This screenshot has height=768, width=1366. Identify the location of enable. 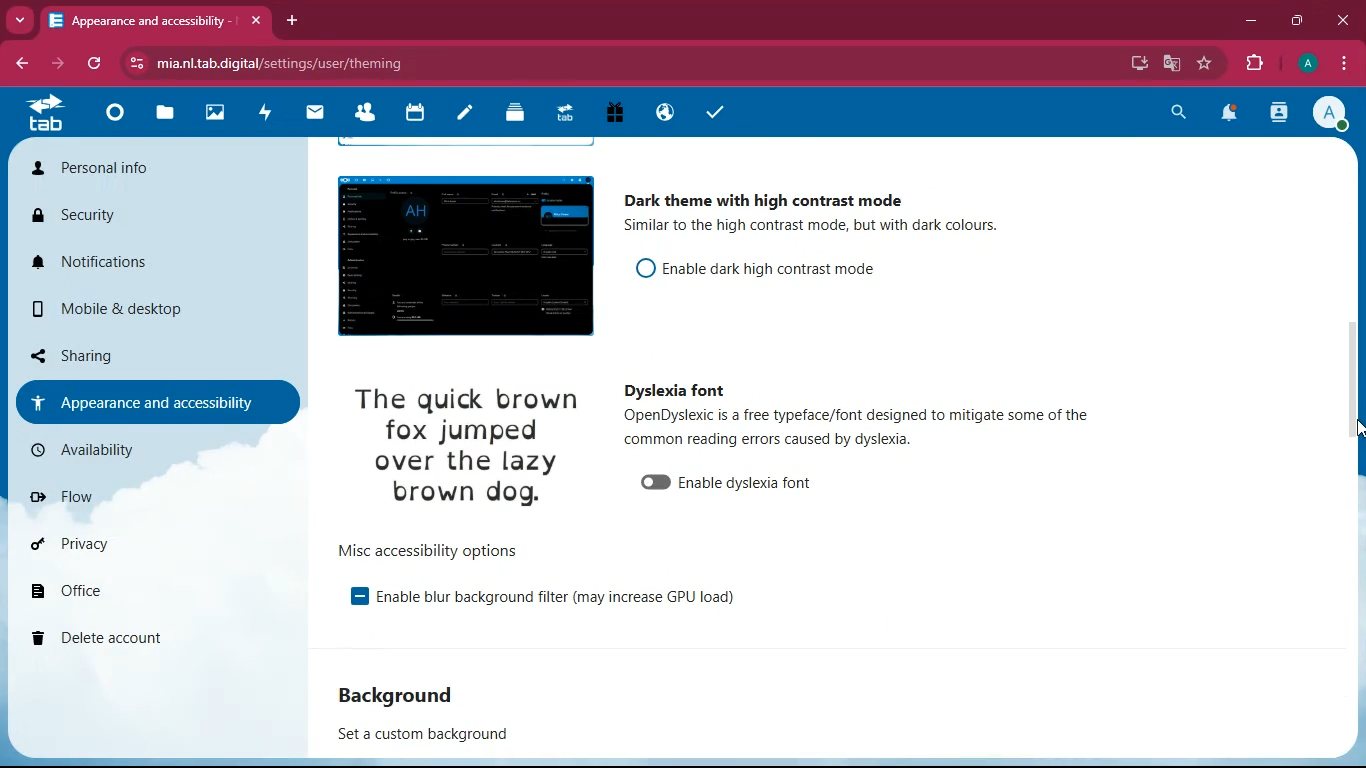
(750, 486).